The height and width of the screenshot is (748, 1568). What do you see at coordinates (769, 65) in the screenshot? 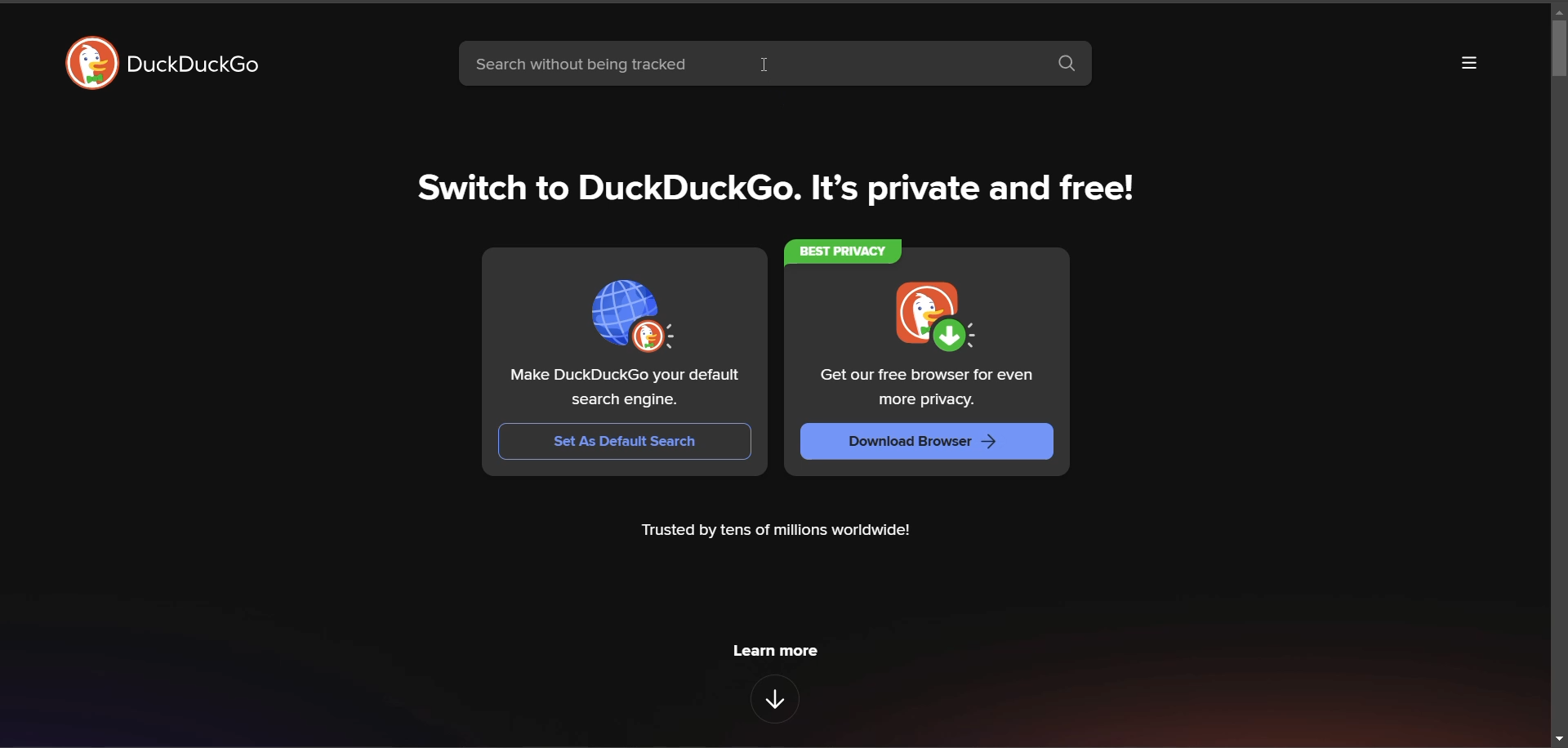
I see `cursor` at bounding box center [769, 65].